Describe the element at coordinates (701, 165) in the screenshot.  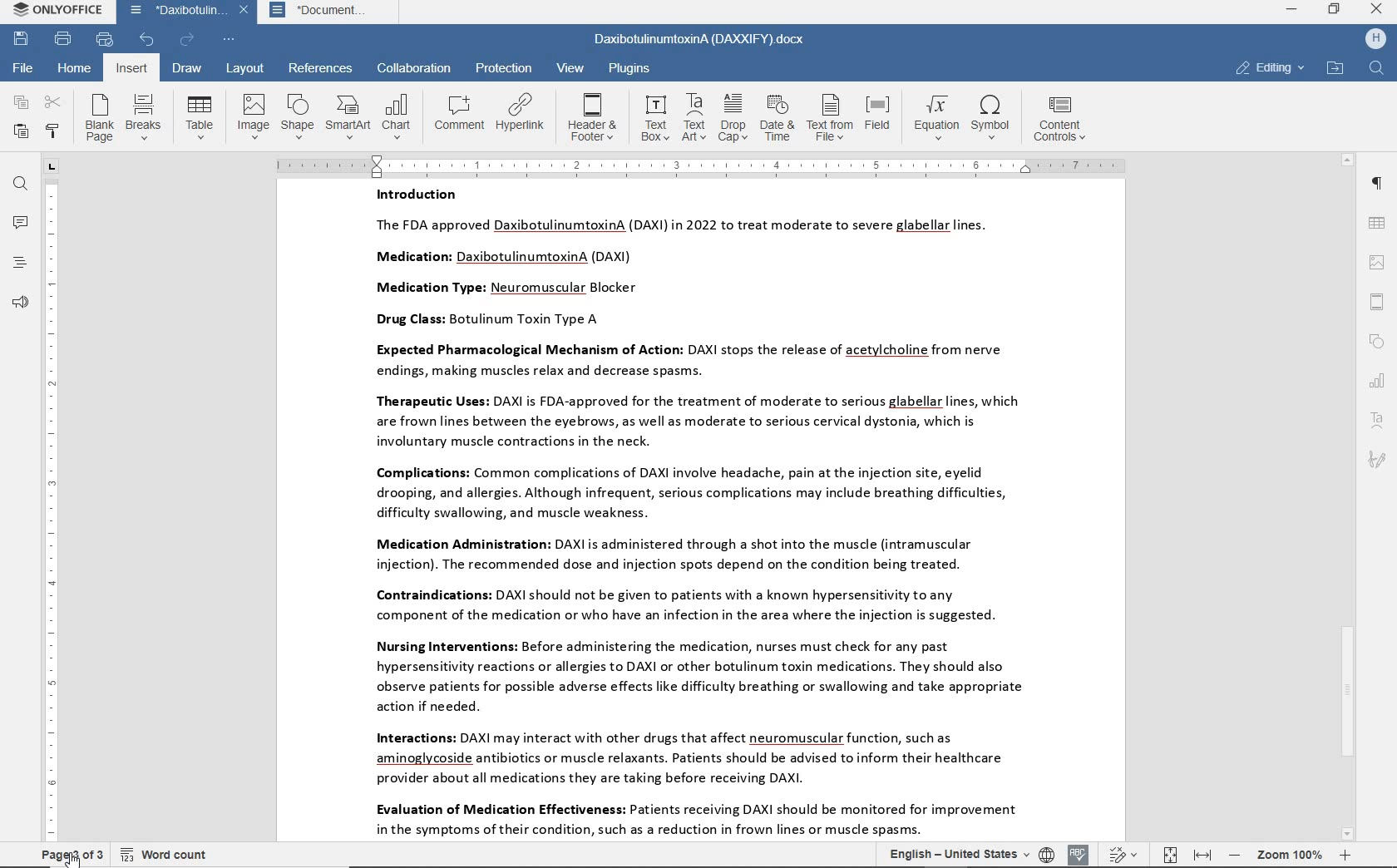
I see `ruler` at that location.